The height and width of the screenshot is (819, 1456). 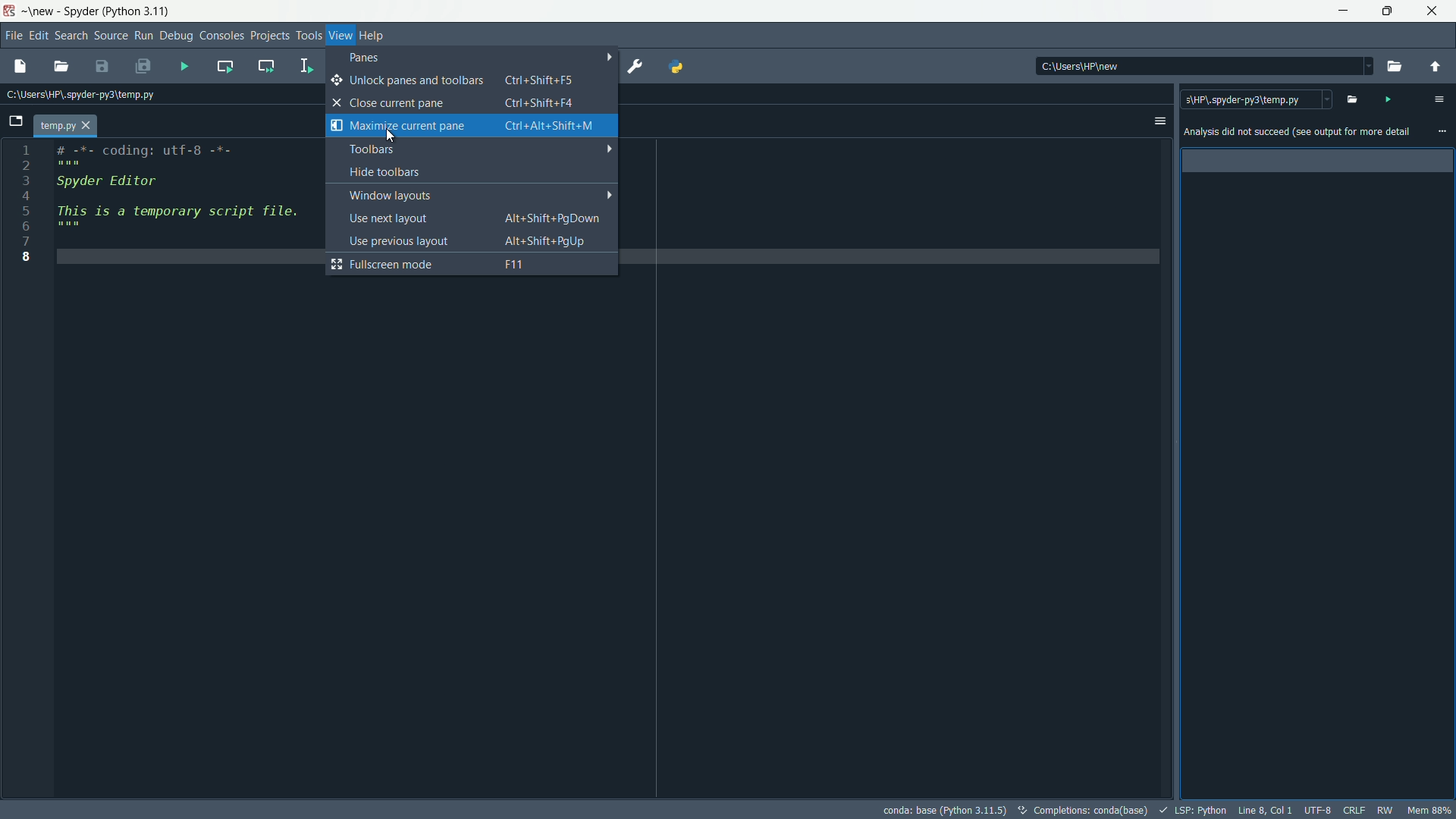 What do you see at coordinates (143, 37) in the screenshot?
I see `run menu` at bounding box center [143, 37].